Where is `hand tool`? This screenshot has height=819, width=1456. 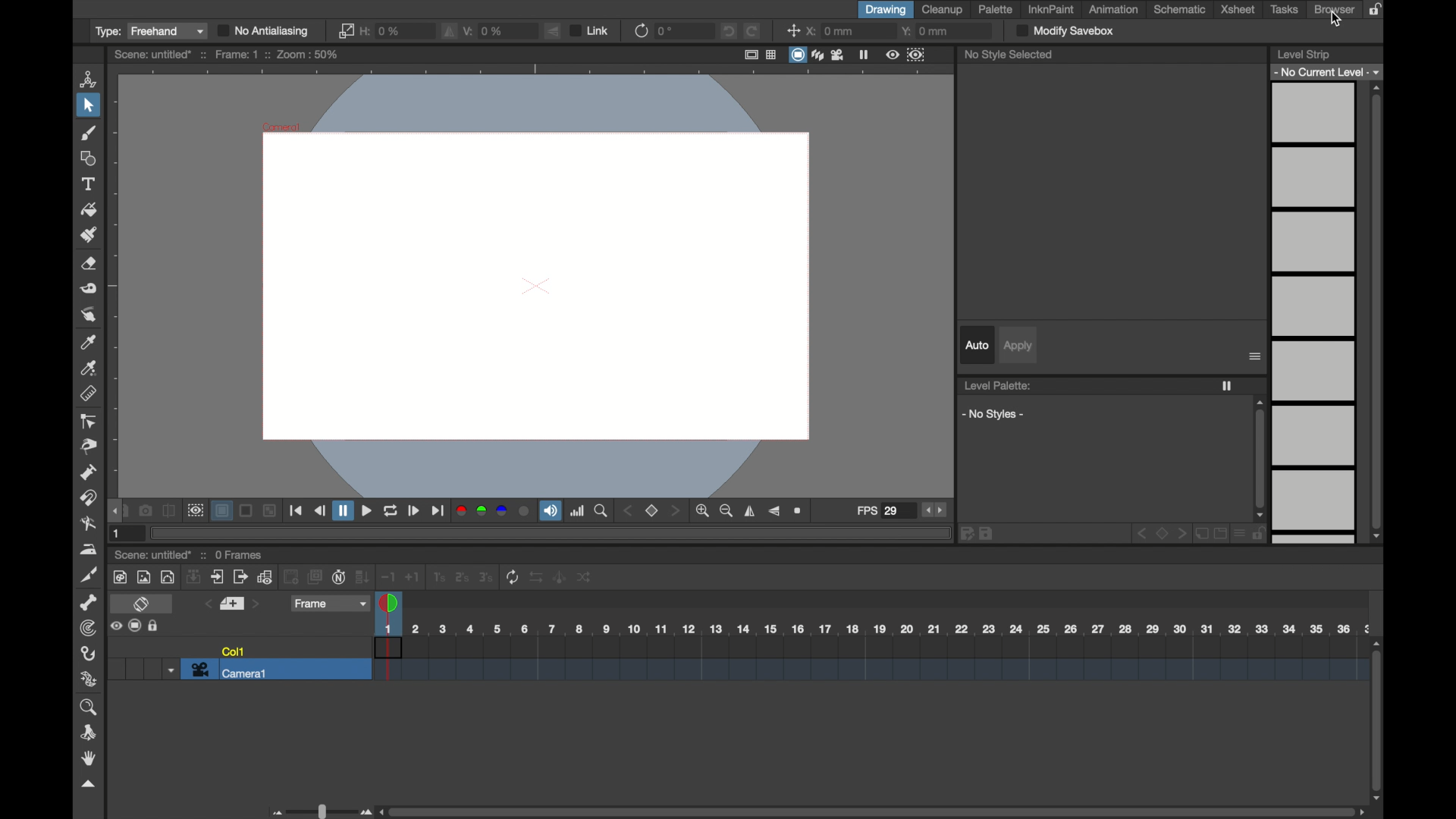
hand tool is located at coordinates (89, 758).